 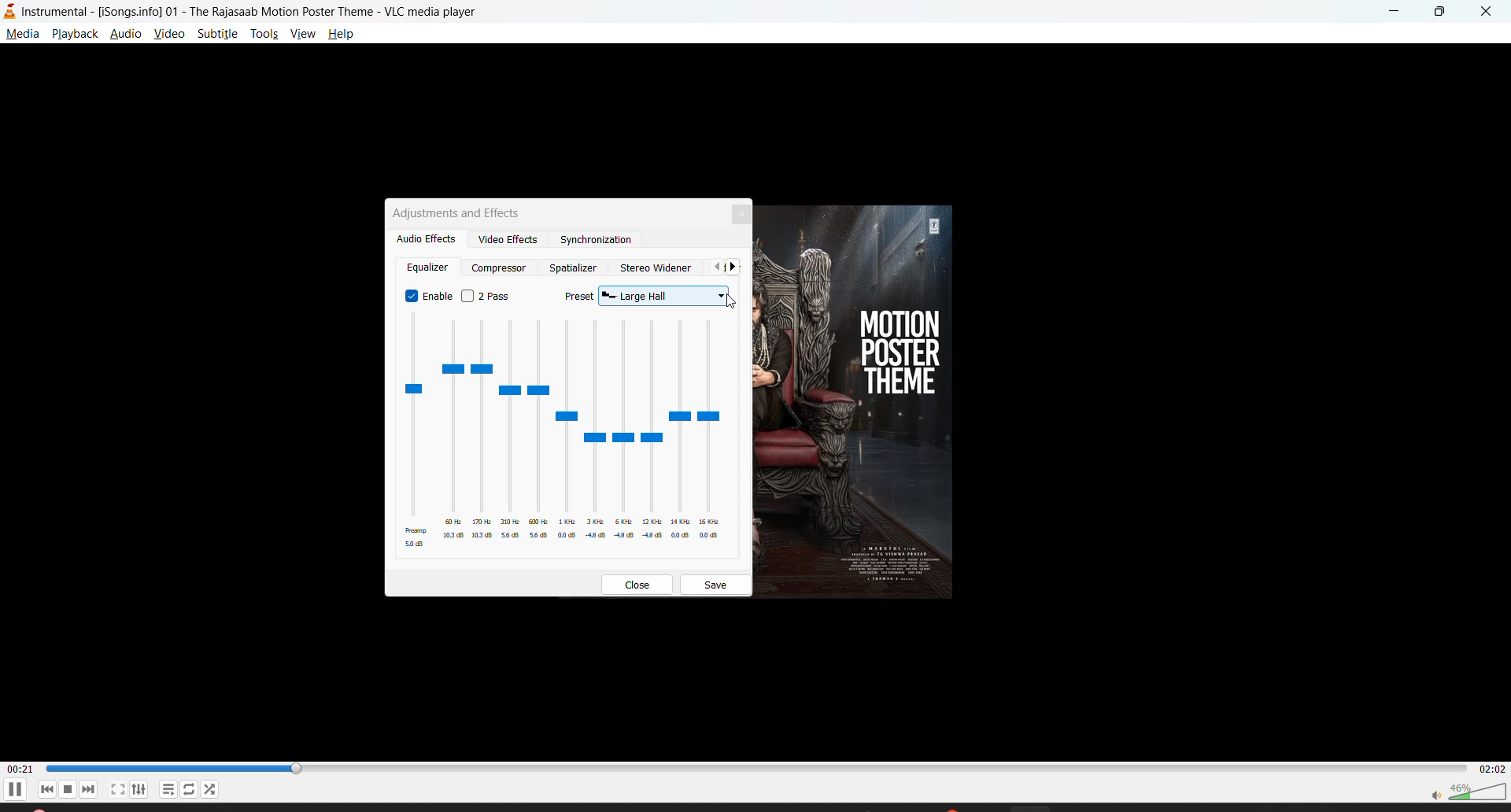 I want to click on loop, so click(x=190, y=788).